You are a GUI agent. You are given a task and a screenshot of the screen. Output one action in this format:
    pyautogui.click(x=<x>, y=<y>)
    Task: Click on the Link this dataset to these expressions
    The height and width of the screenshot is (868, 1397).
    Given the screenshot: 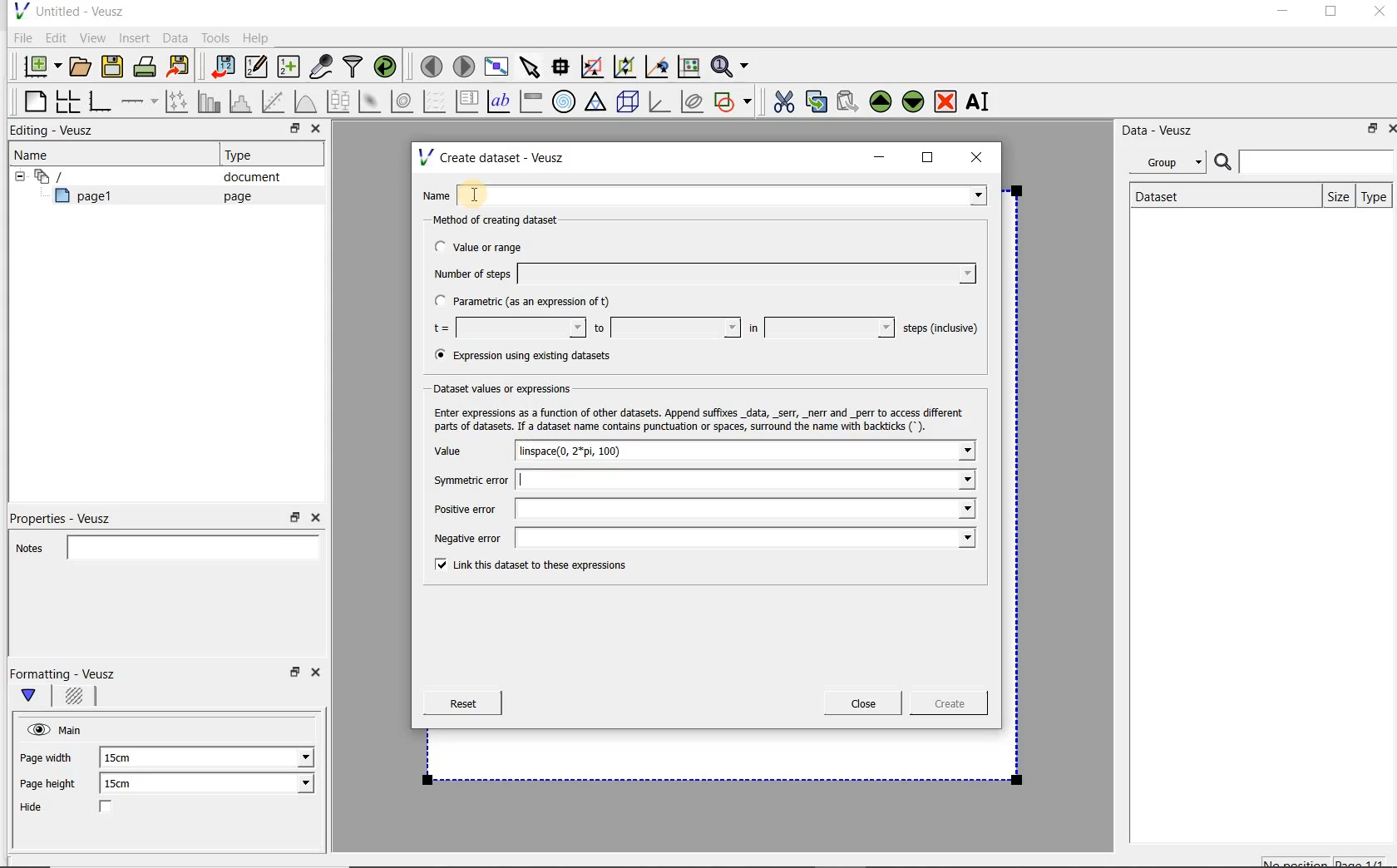 What is the action you would take?
    pyautogui.click(x=526, y=566)
    